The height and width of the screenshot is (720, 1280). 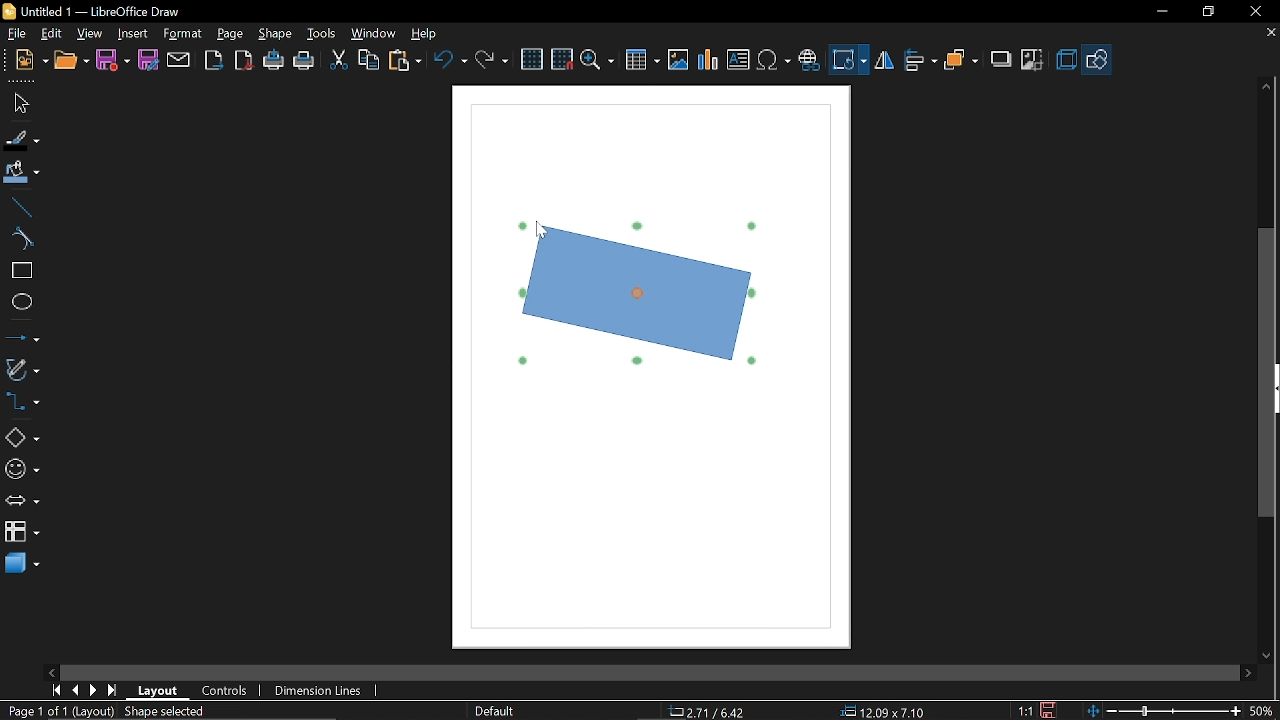 I want to click on Insert symbols, so click(x=775, y=61).